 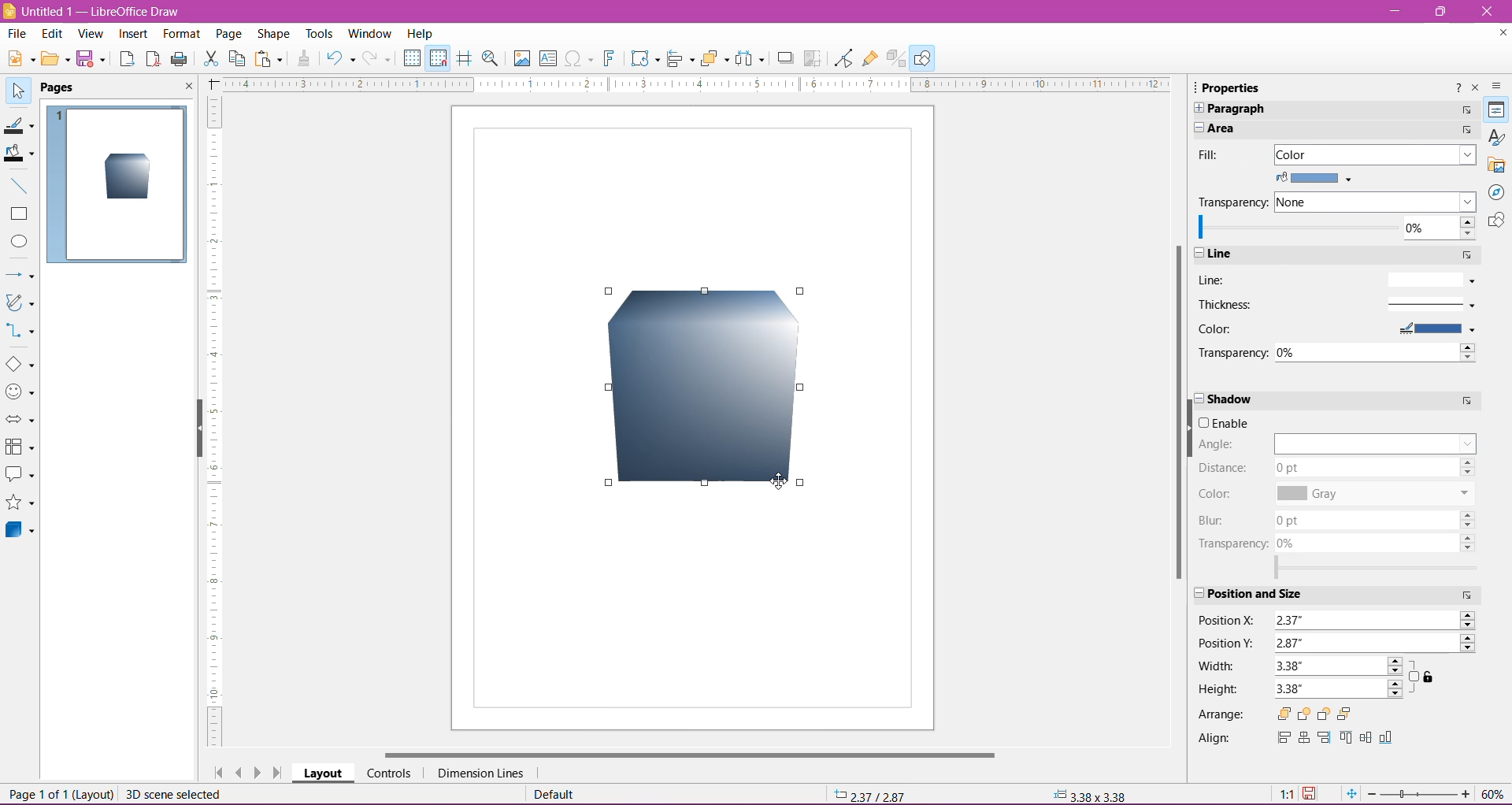 I want to click on , so click(x=379, y=58).